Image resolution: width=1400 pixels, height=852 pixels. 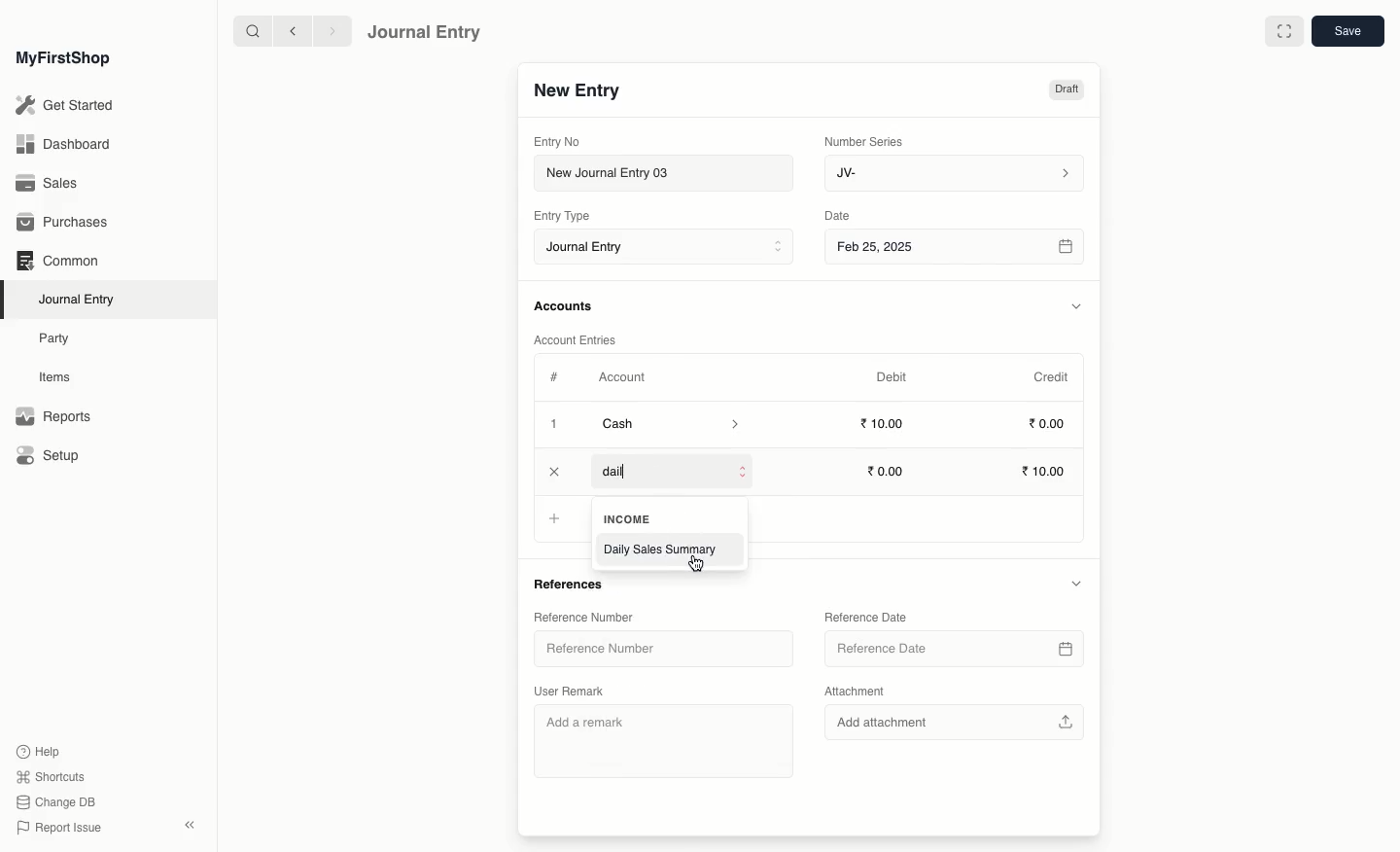 I want to click on 10.00, so click(x=1046, y=473).